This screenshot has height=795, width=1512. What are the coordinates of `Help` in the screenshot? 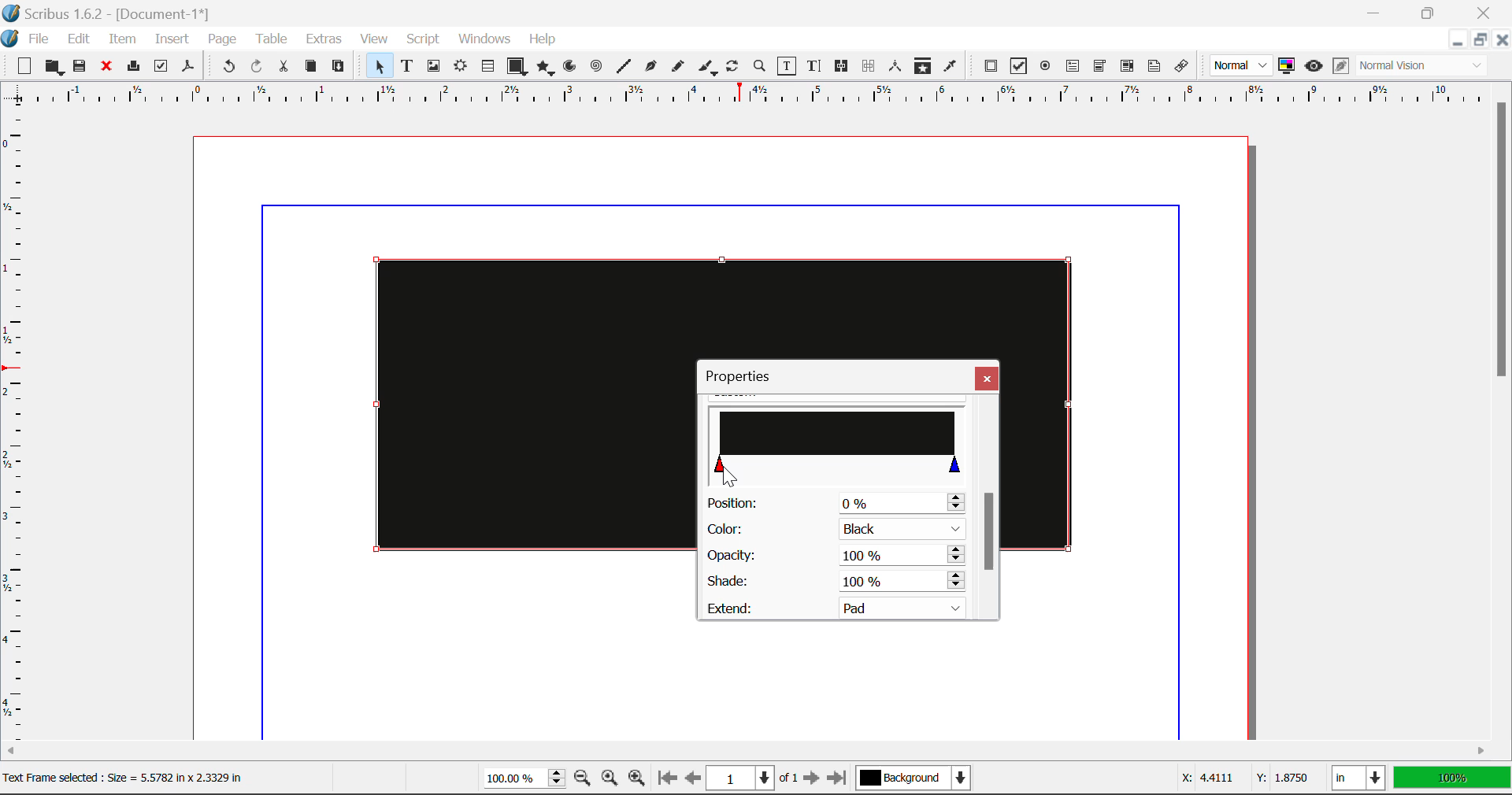 It's located at (543, 39).